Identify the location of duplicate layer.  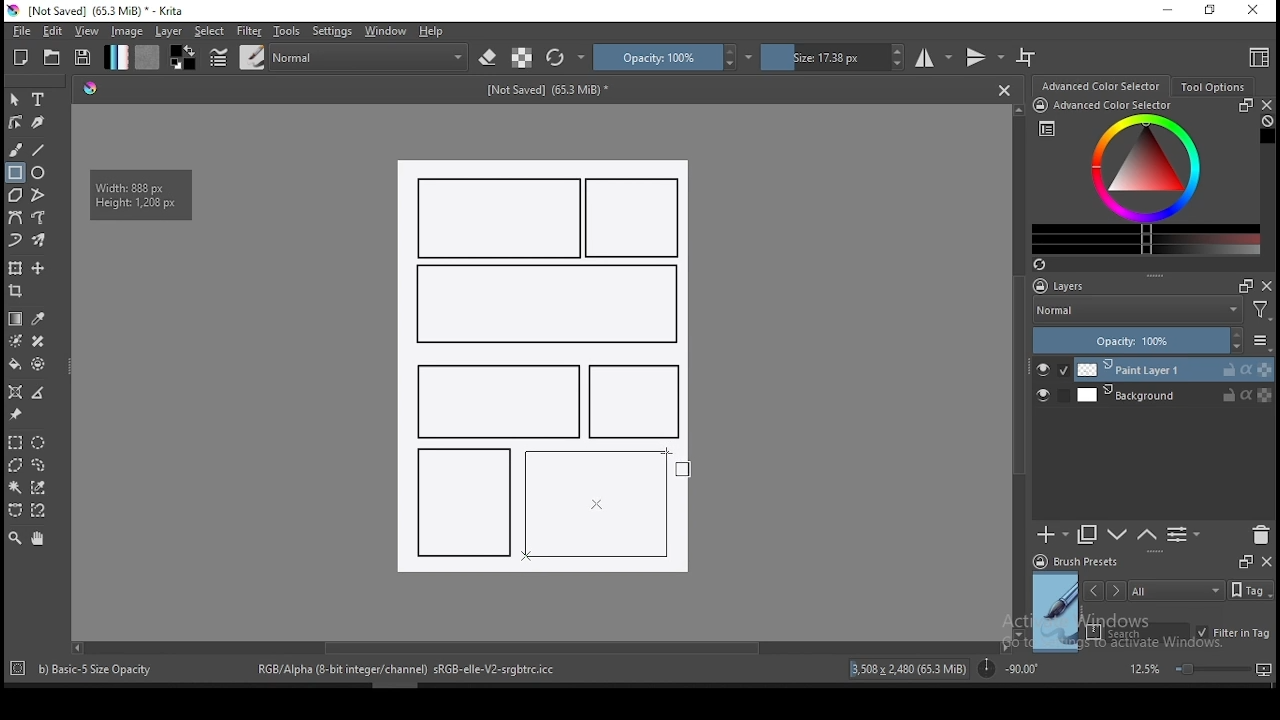
(1088, 534).